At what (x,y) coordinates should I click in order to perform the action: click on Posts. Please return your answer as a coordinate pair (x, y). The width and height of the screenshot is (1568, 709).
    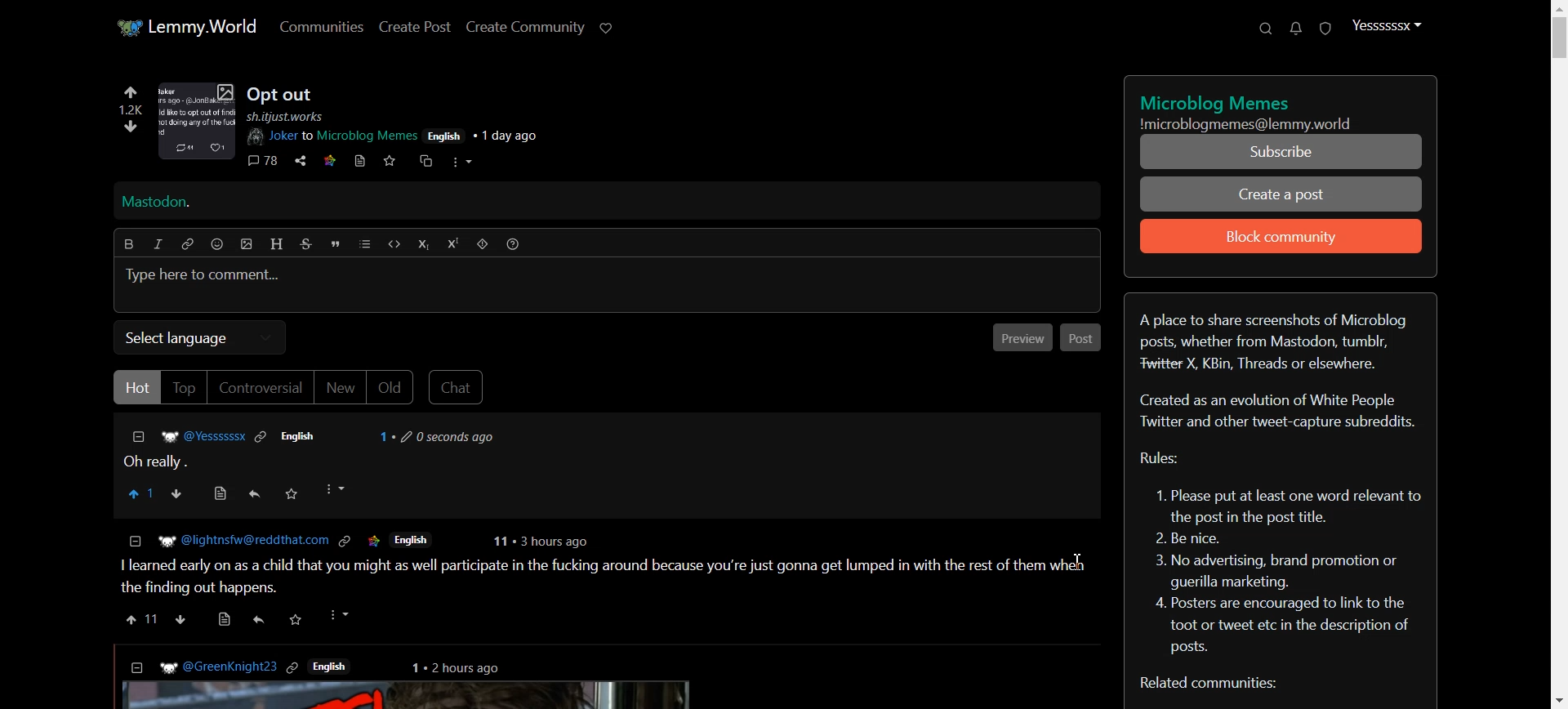
    Looking at the image, I should click on (601, 561).